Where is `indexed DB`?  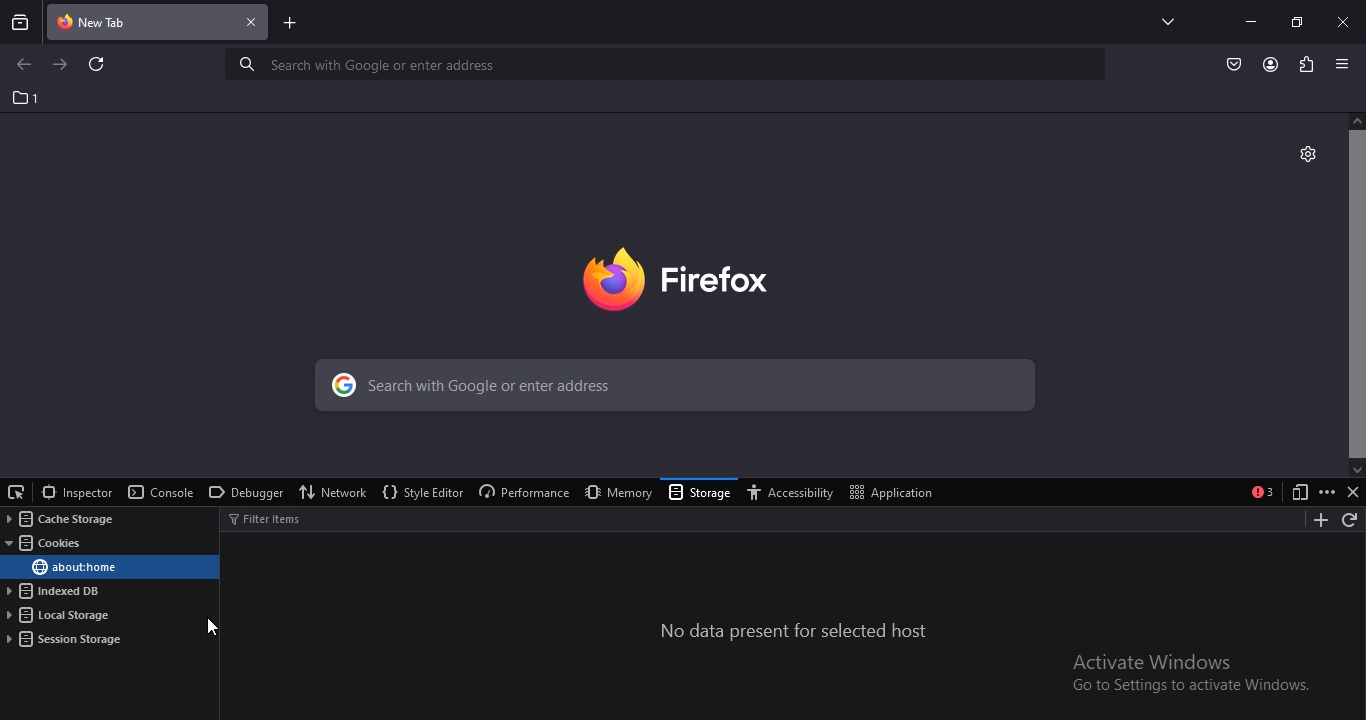
indexed DB is located at coordinates (57, 592).